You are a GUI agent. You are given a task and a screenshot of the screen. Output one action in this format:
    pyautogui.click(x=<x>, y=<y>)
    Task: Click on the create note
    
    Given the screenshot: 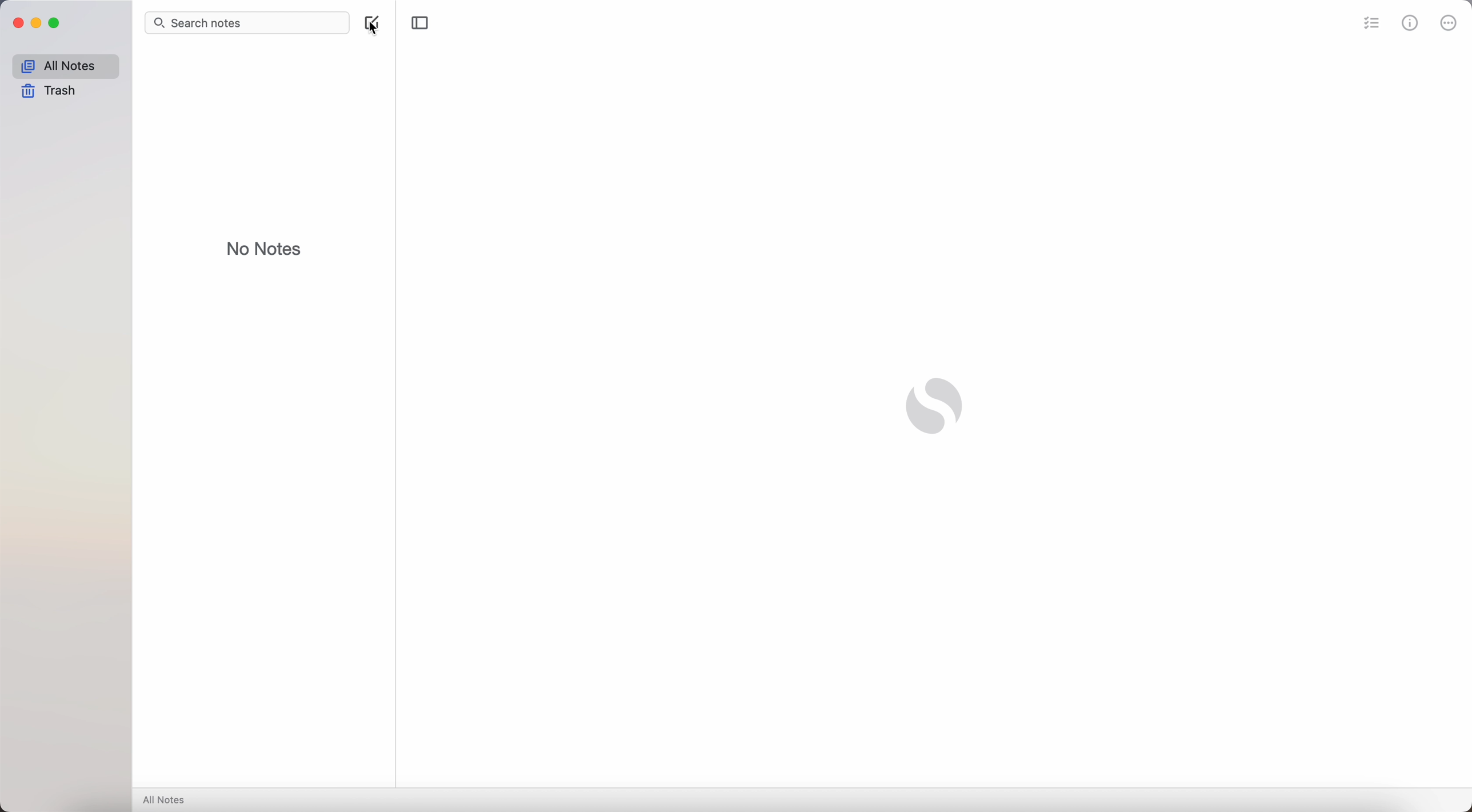 What is the action you would take?
    pyautogui.click(x=372, y=24)
    